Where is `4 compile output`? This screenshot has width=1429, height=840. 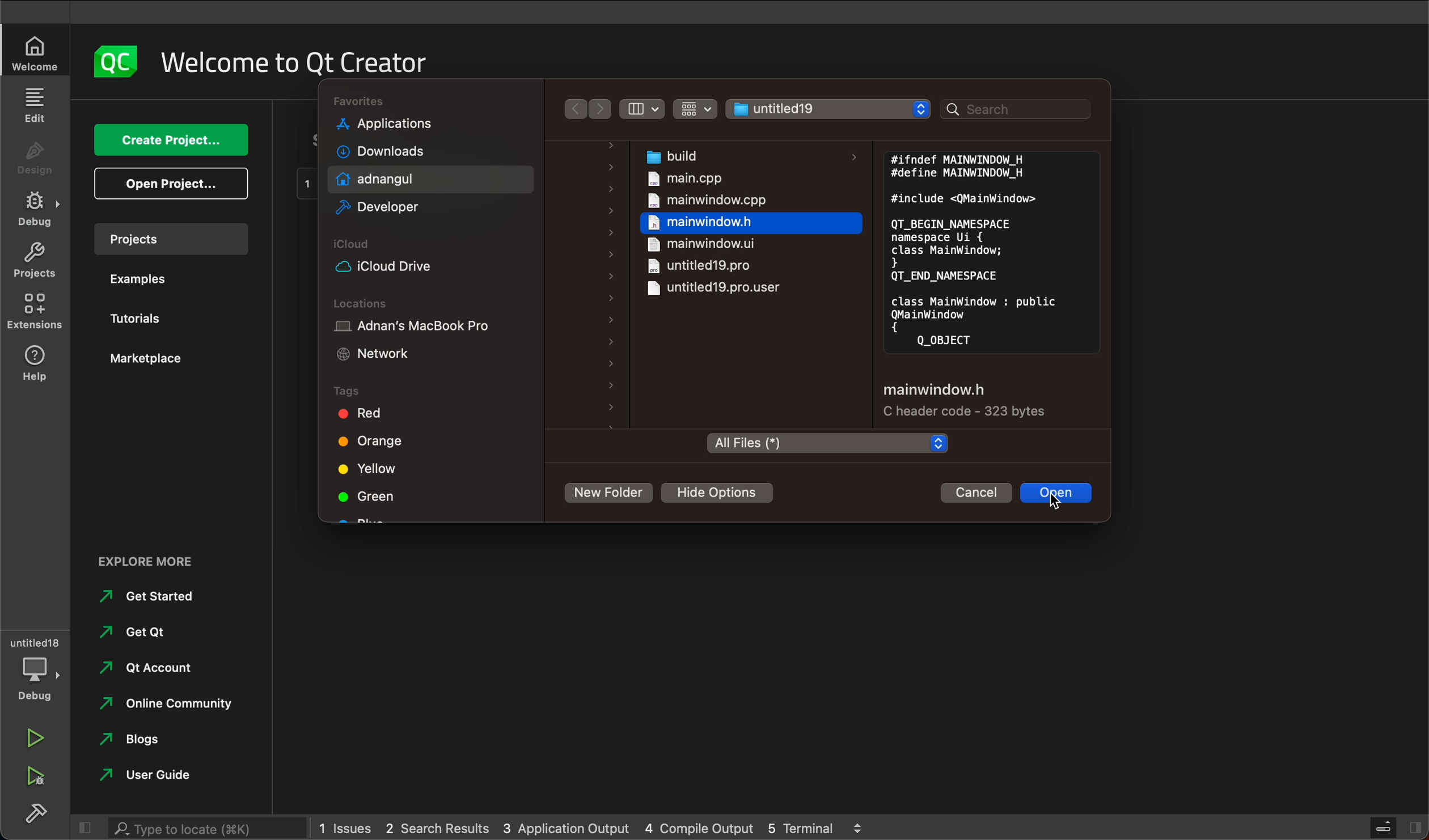 4 compile output is located at coordinates (695, 827).